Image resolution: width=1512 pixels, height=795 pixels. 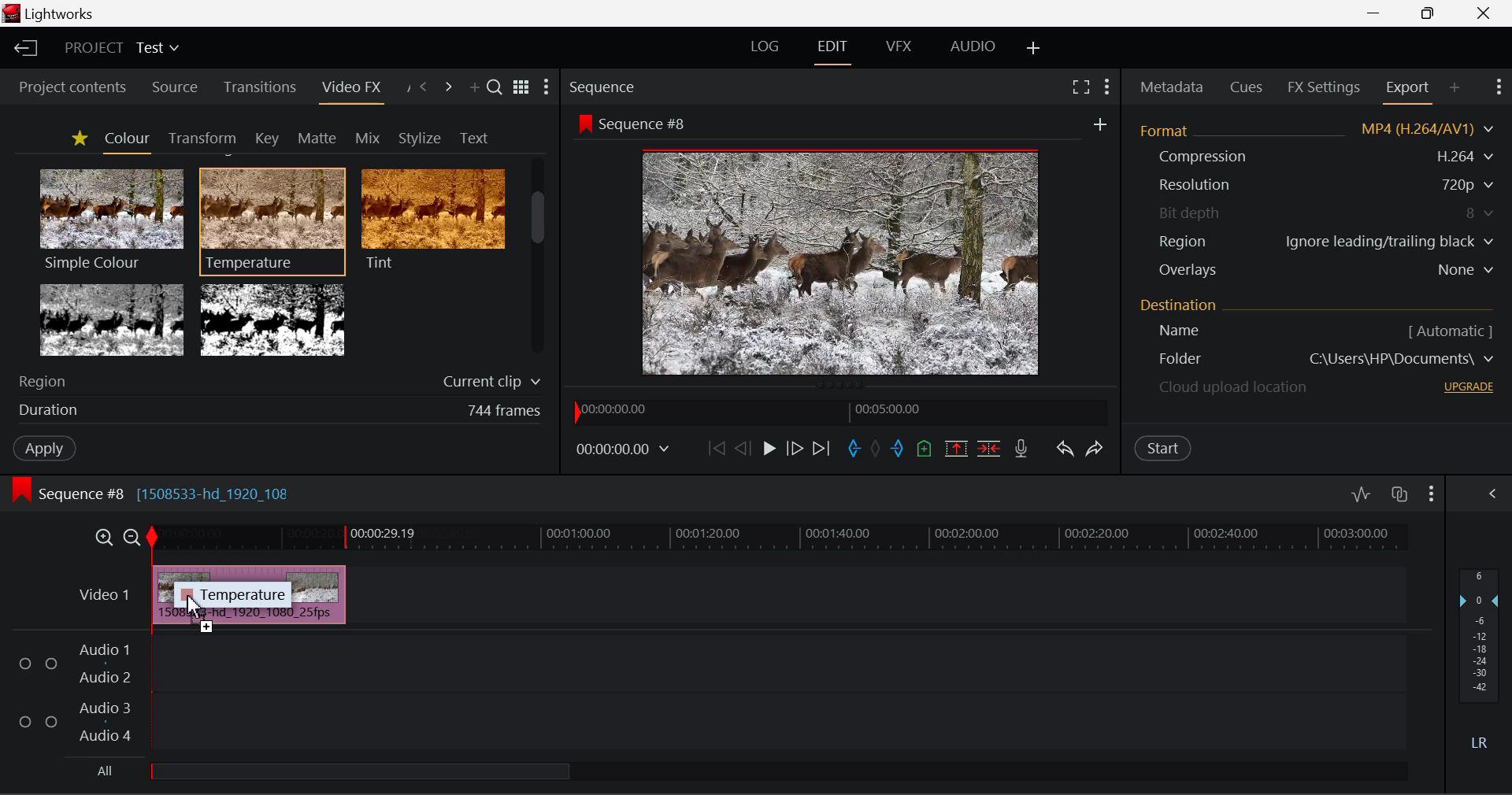 I want to click on Region, so click(x=46, y=380).